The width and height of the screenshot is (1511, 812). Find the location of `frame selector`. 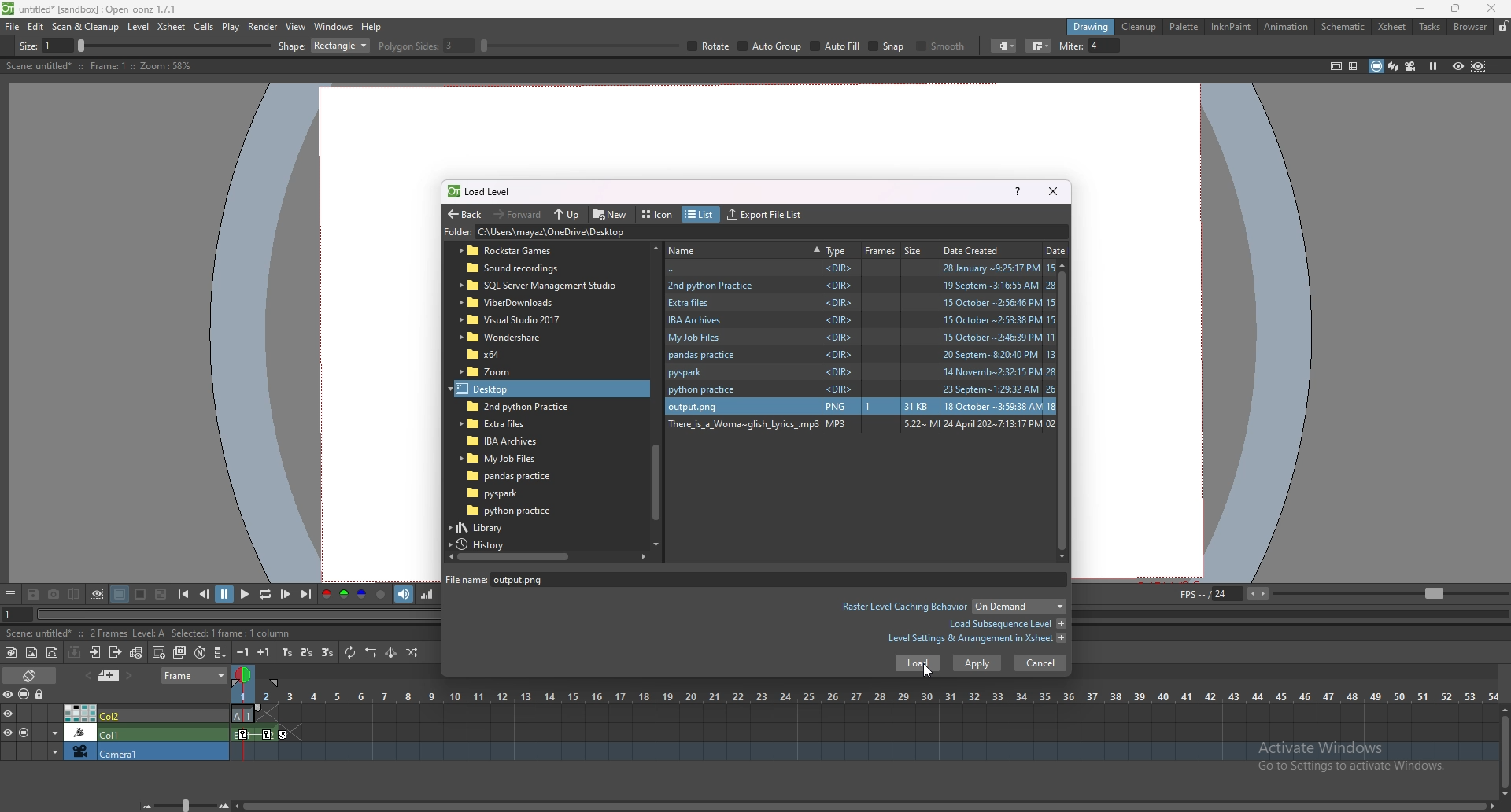

frame selector is located at coordinates (245, 674).